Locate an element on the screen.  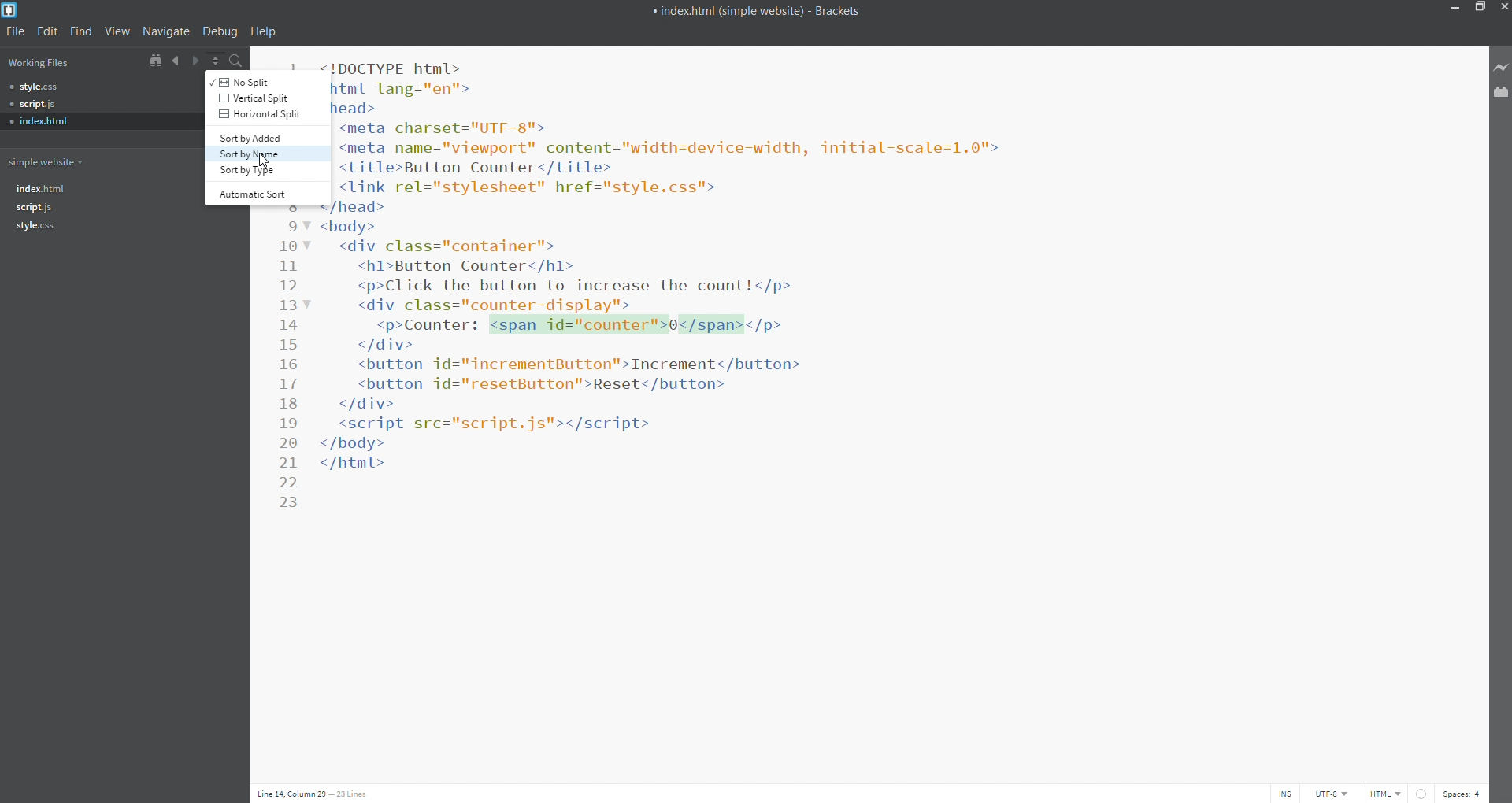
vertical split is located at coordinates (256, 98).